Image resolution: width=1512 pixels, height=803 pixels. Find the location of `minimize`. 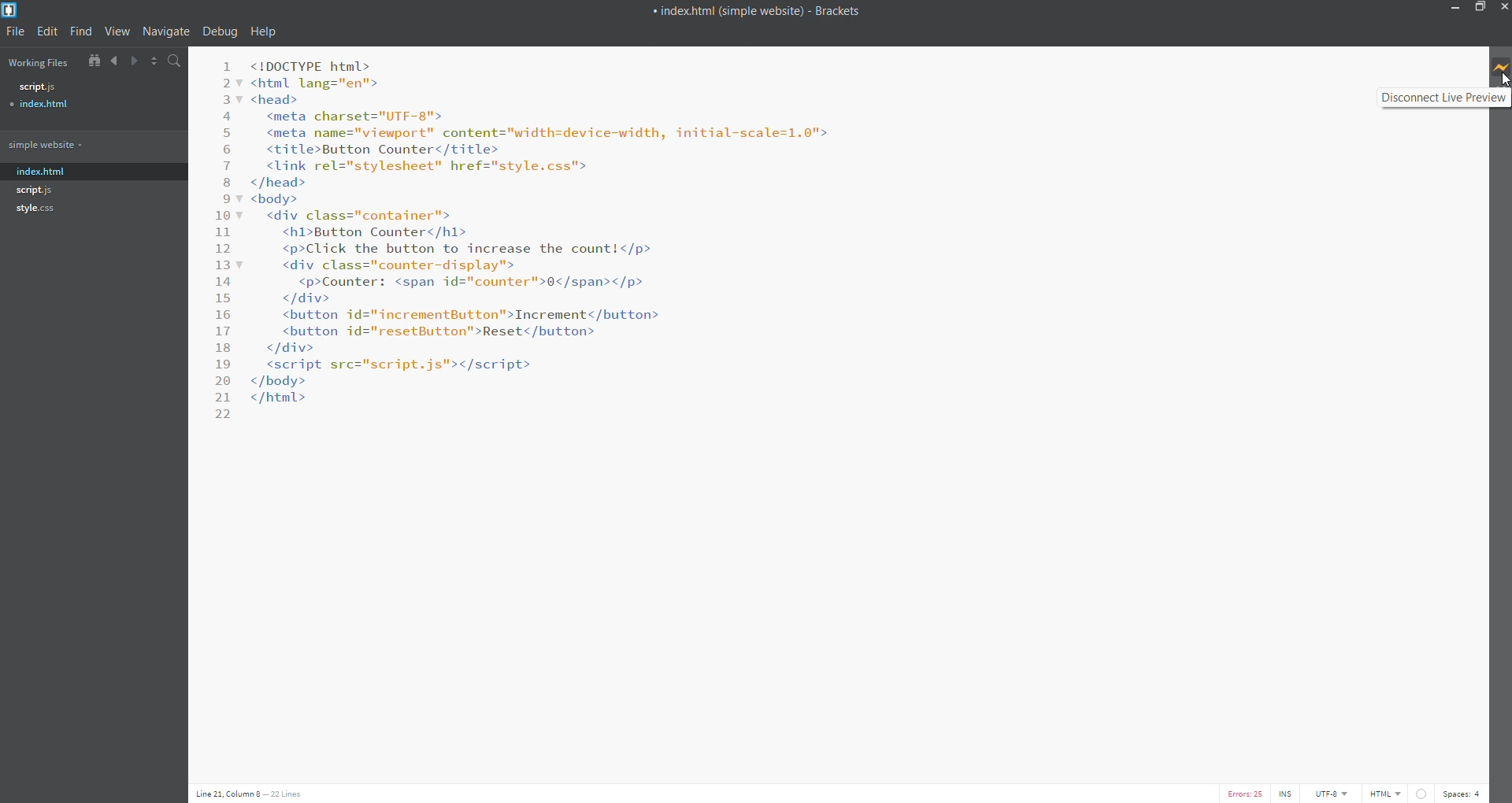

minimize is located at coordinates (1452, 9).